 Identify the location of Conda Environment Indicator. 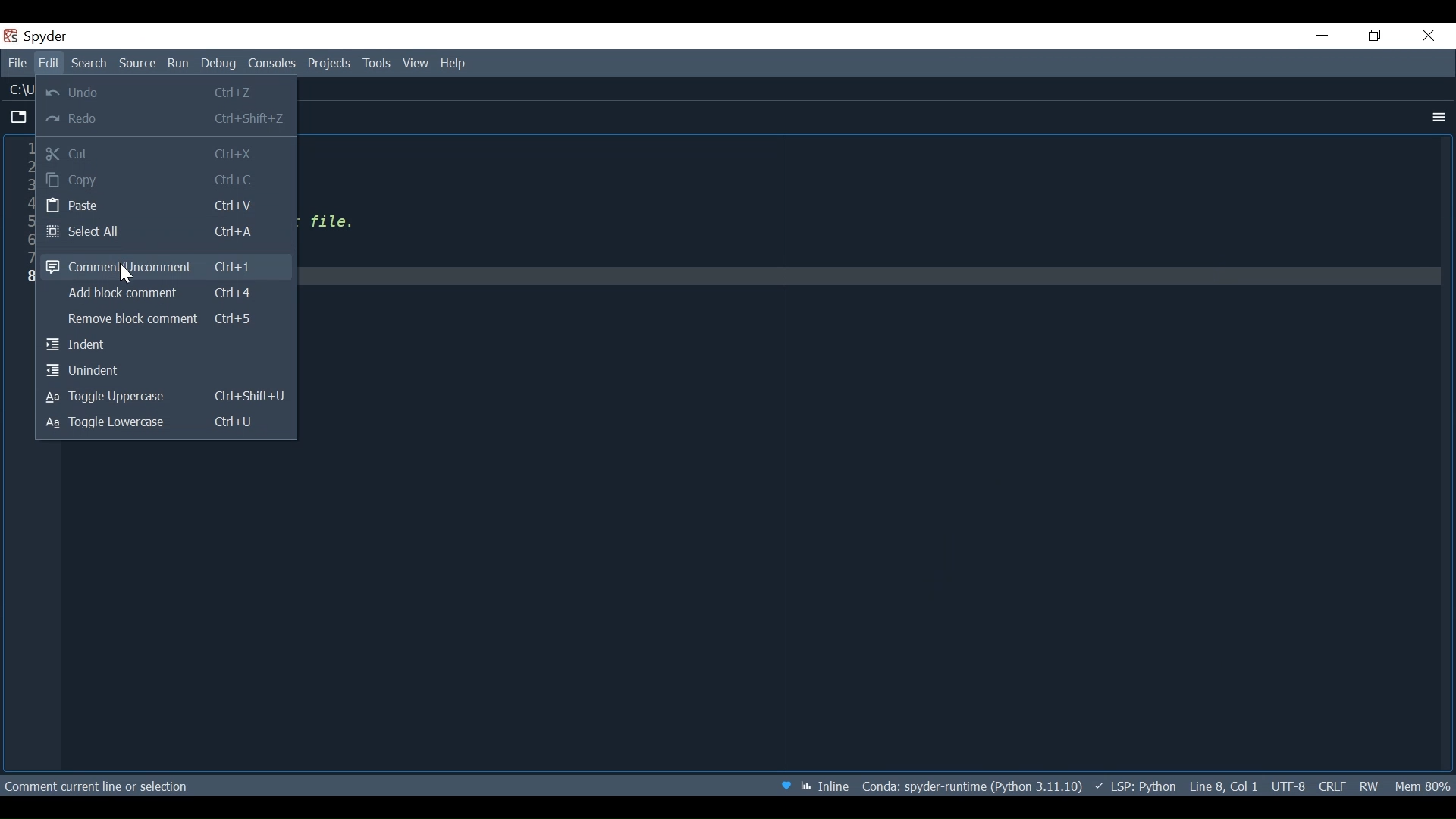
(971, 786).